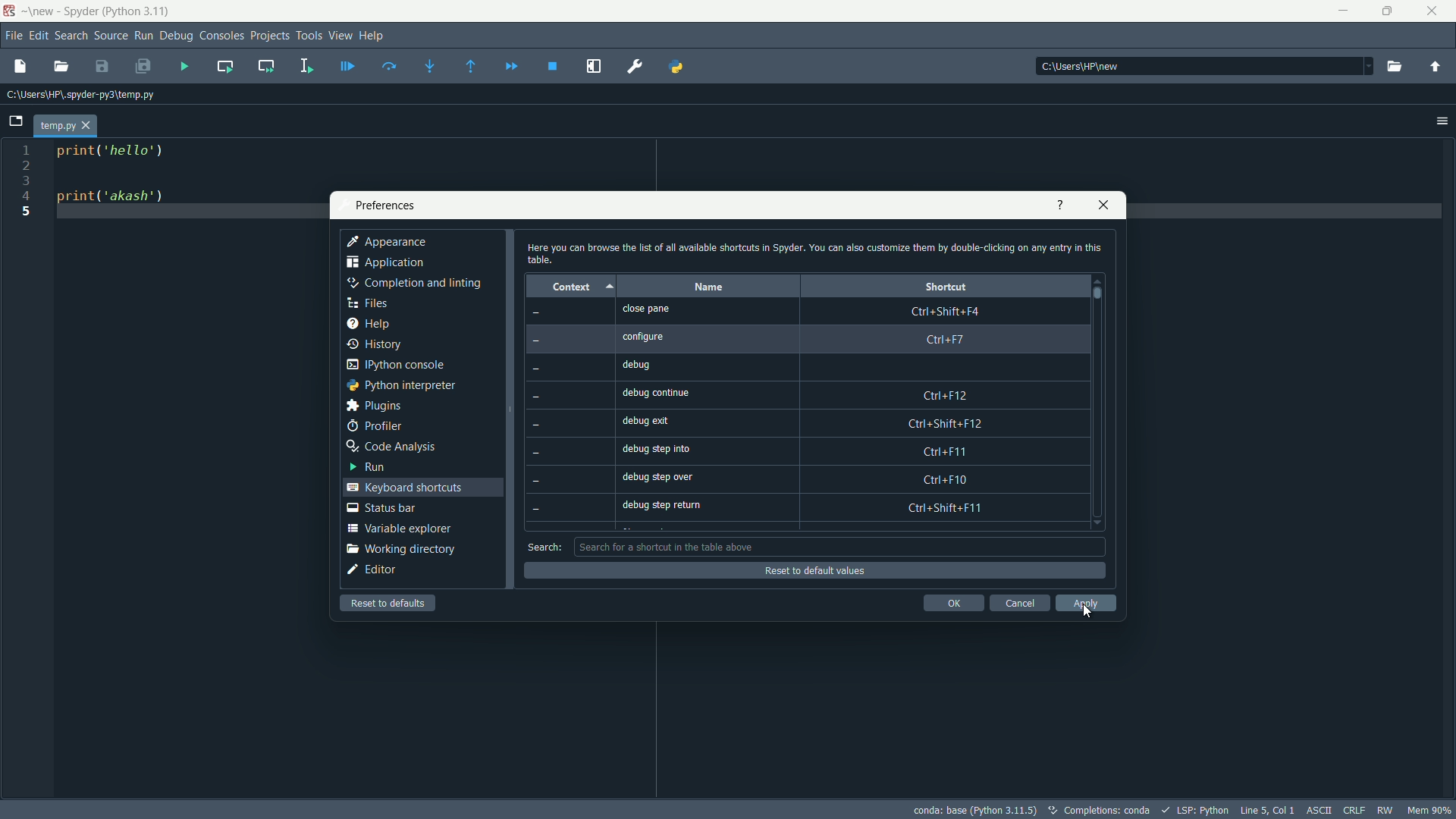 The width and height of the screenshot is (1456, 819). What do you see at coordinates (1267, 810) in the screenshot?
I see `cursor position` at bounding box center [1267, 810].